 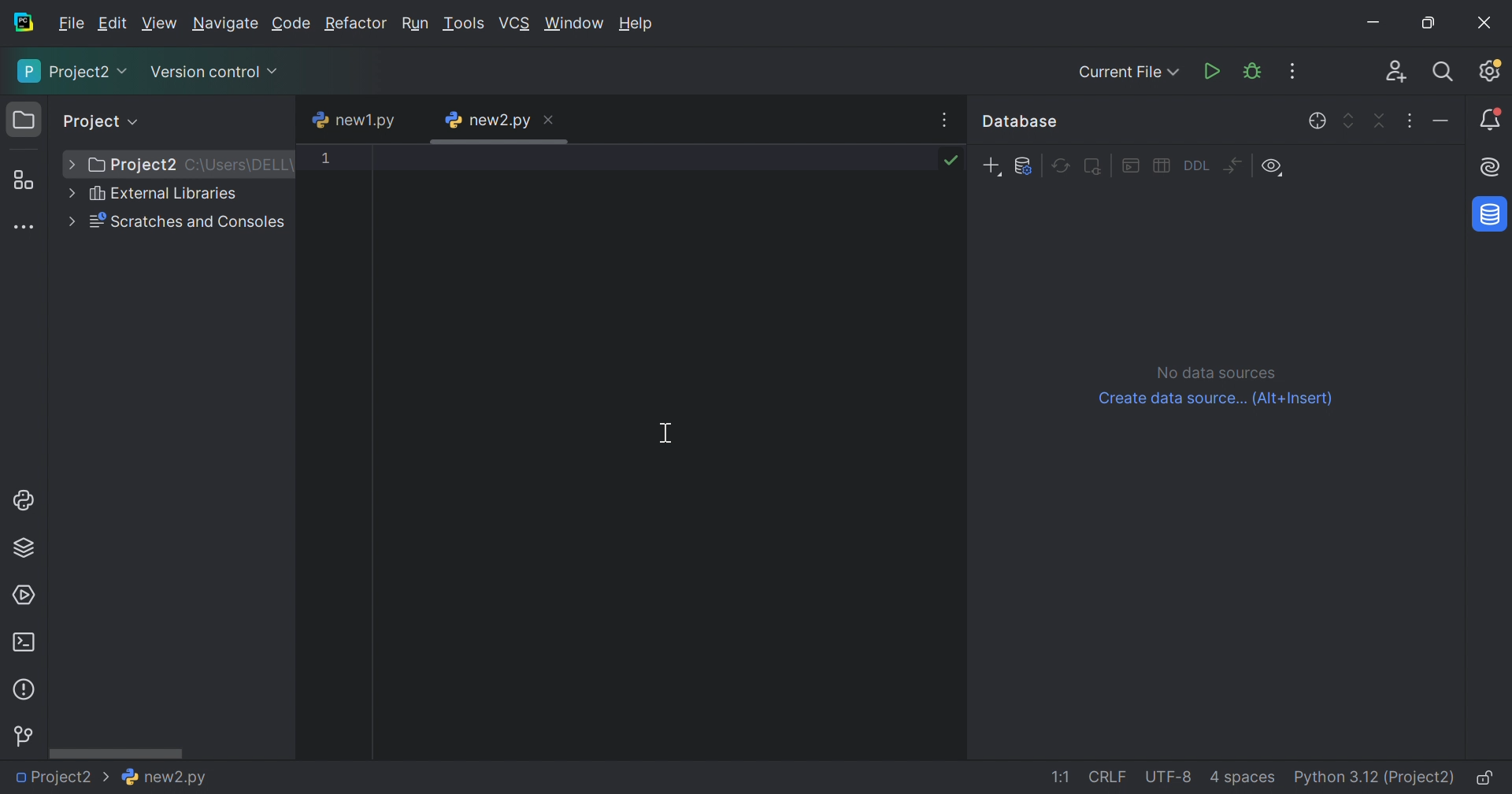 I want to click on CRLF, so click(x=1109, y=777).